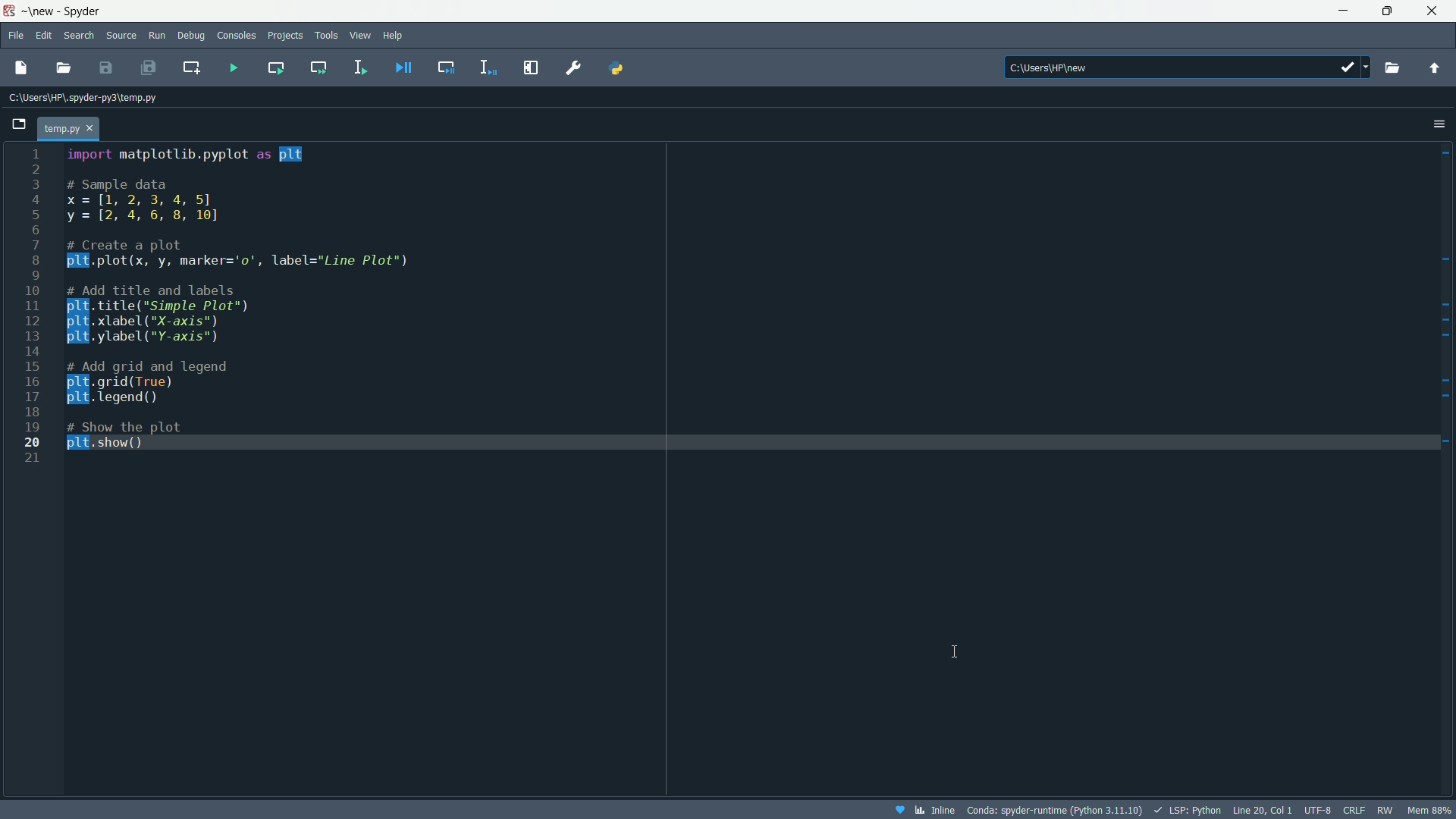  I want to click on app icon, so click(8, 11).